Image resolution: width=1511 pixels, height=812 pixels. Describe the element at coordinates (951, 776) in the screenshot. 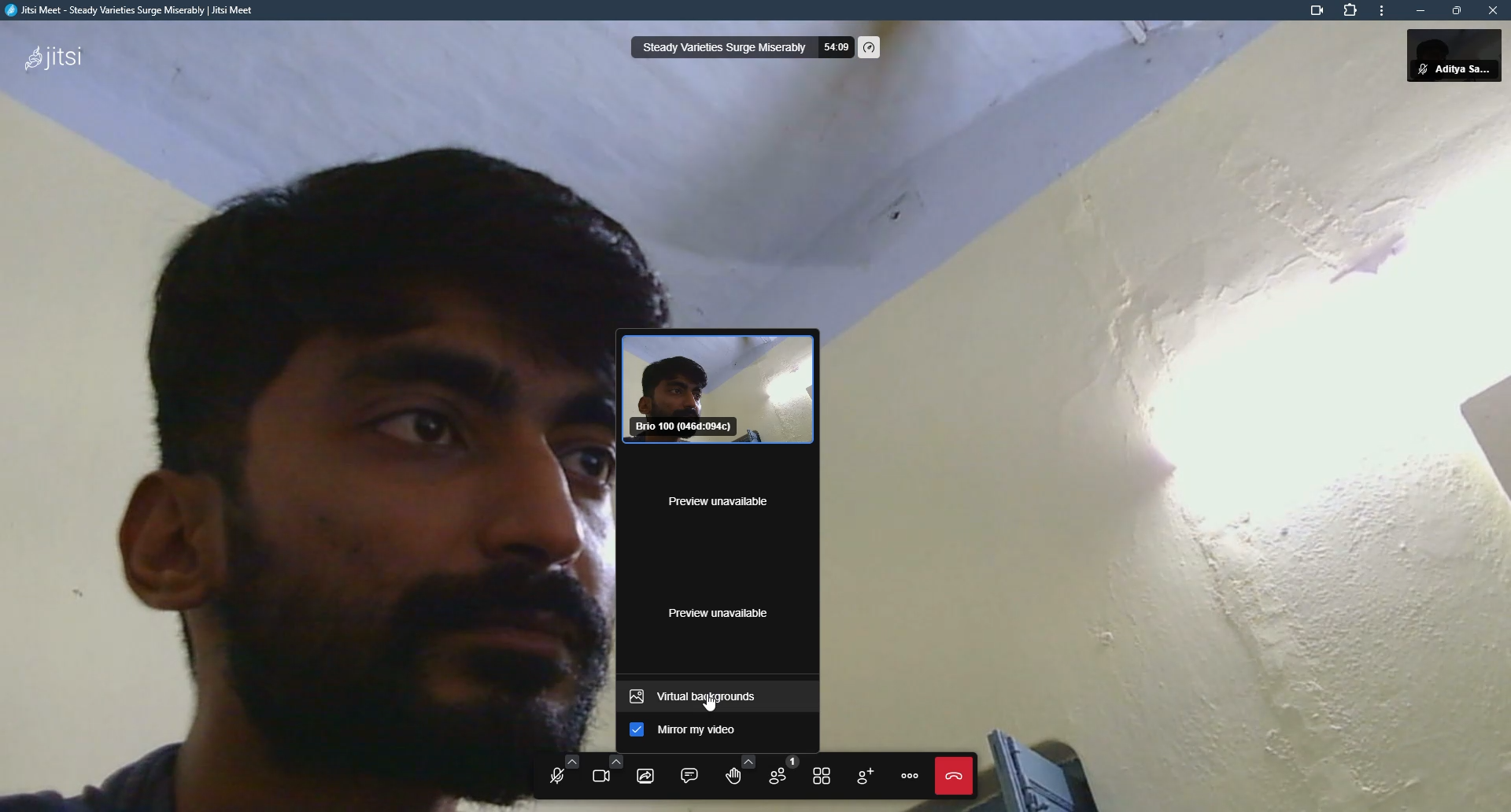

I see `end call` at that location.